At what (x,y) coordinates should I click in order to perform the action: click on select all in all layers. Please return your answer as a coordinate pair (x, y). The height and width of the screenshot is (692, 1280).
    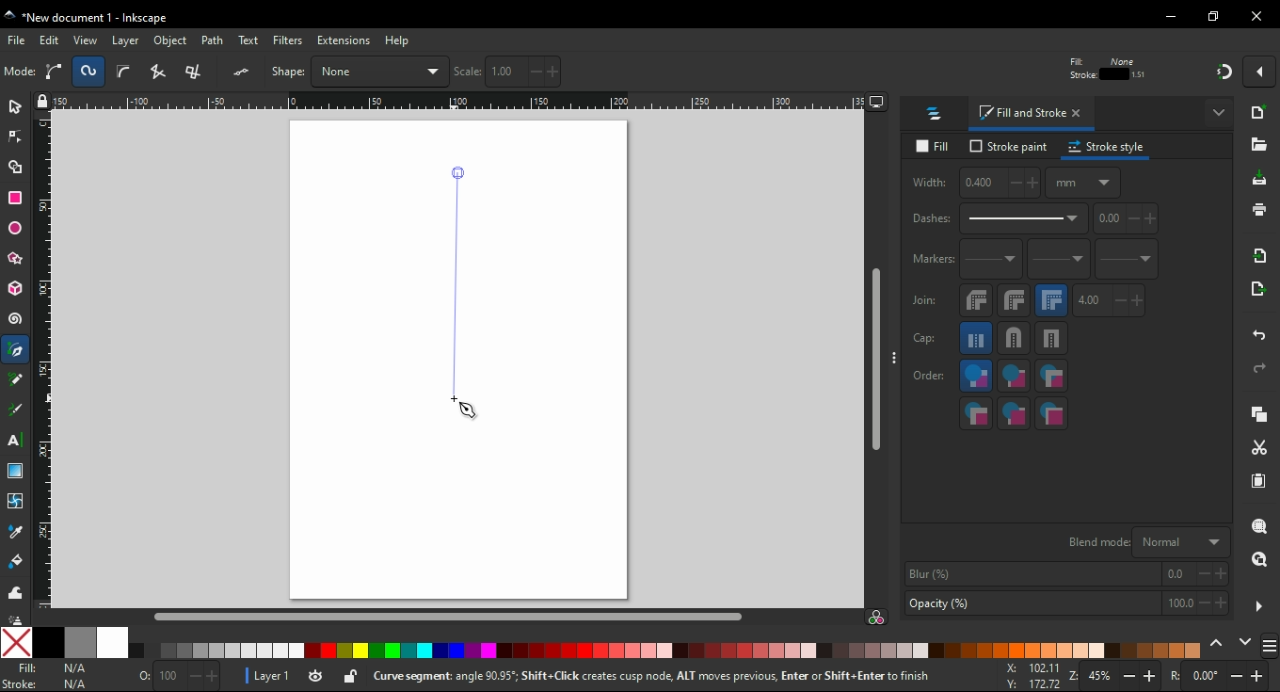
    Looking at the image, I should click on (57, 71).